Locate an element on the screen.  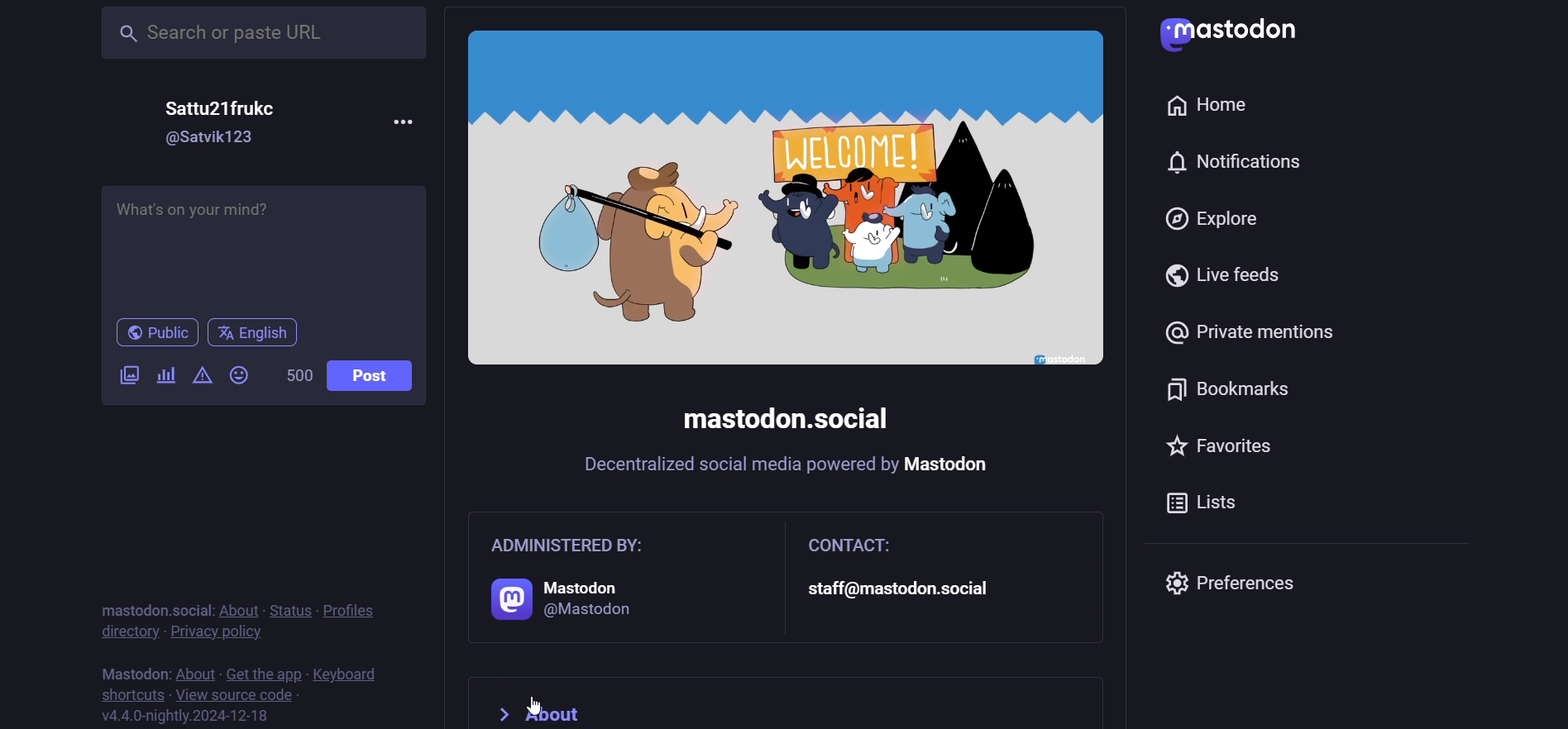
bookmark is located at coordinates (1234, 393).